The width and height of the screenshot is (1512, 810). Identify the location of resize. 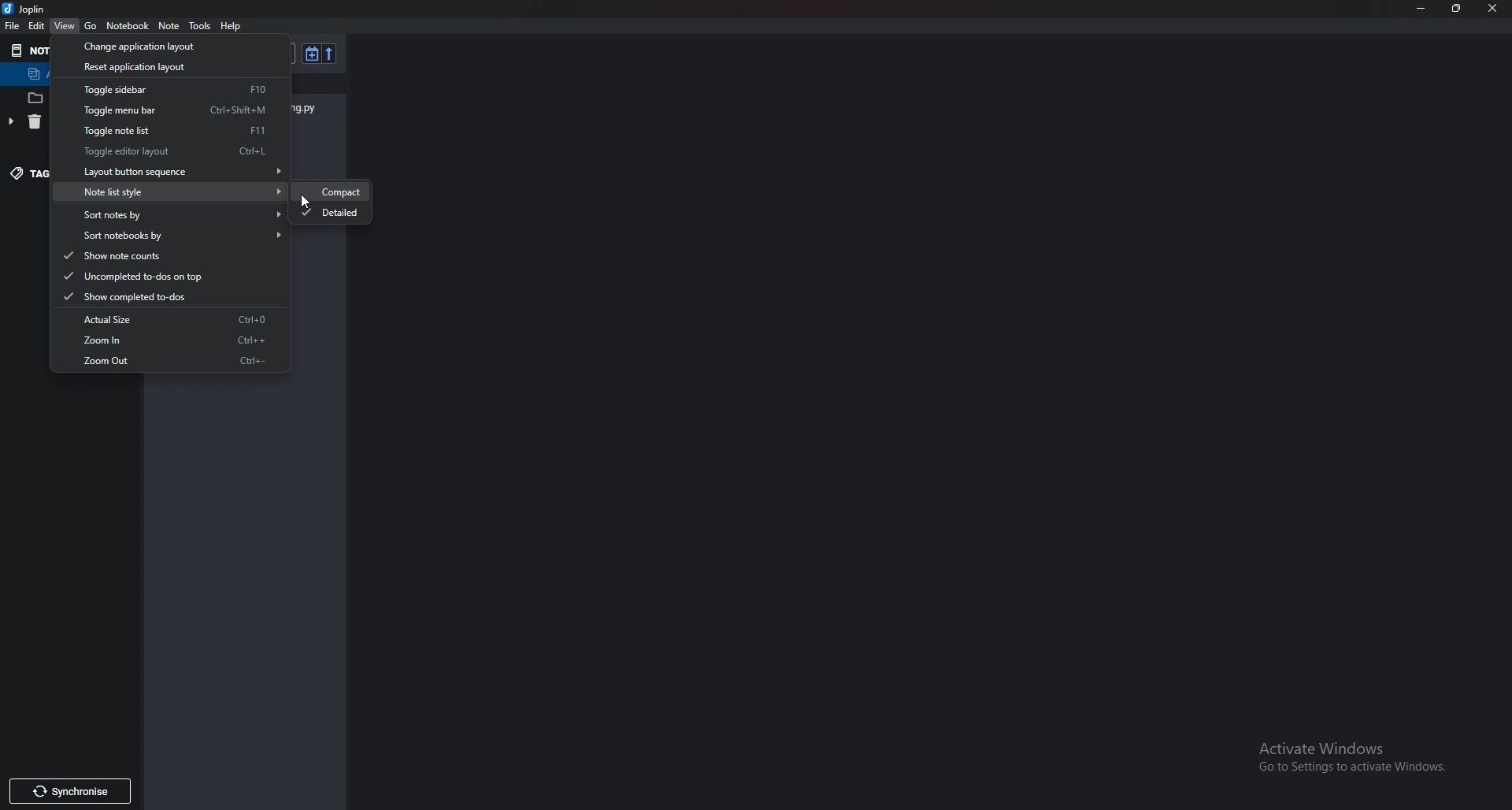
(1458, 9).